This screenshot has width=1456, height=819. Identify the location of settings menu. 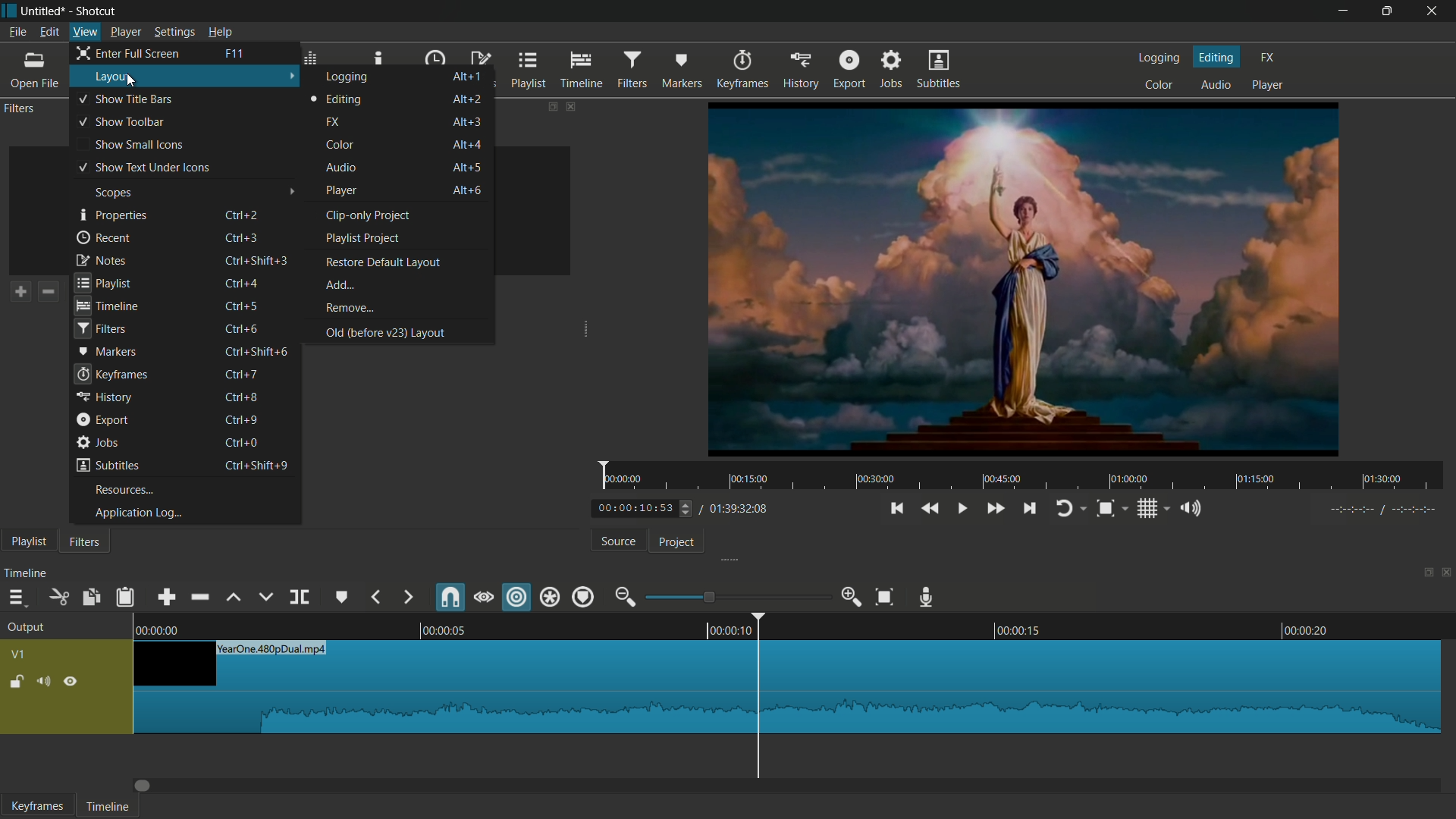
(174, 33).